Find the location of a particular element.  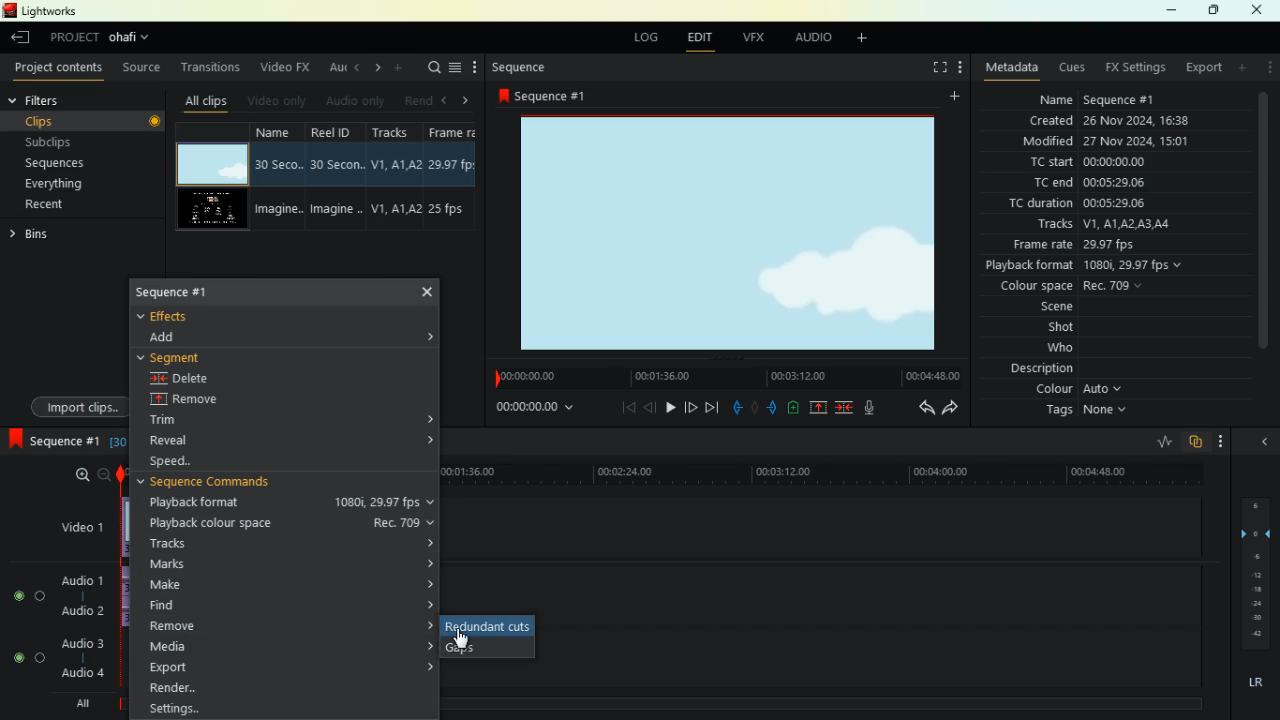

gaps is located at coordinates (490, 644).